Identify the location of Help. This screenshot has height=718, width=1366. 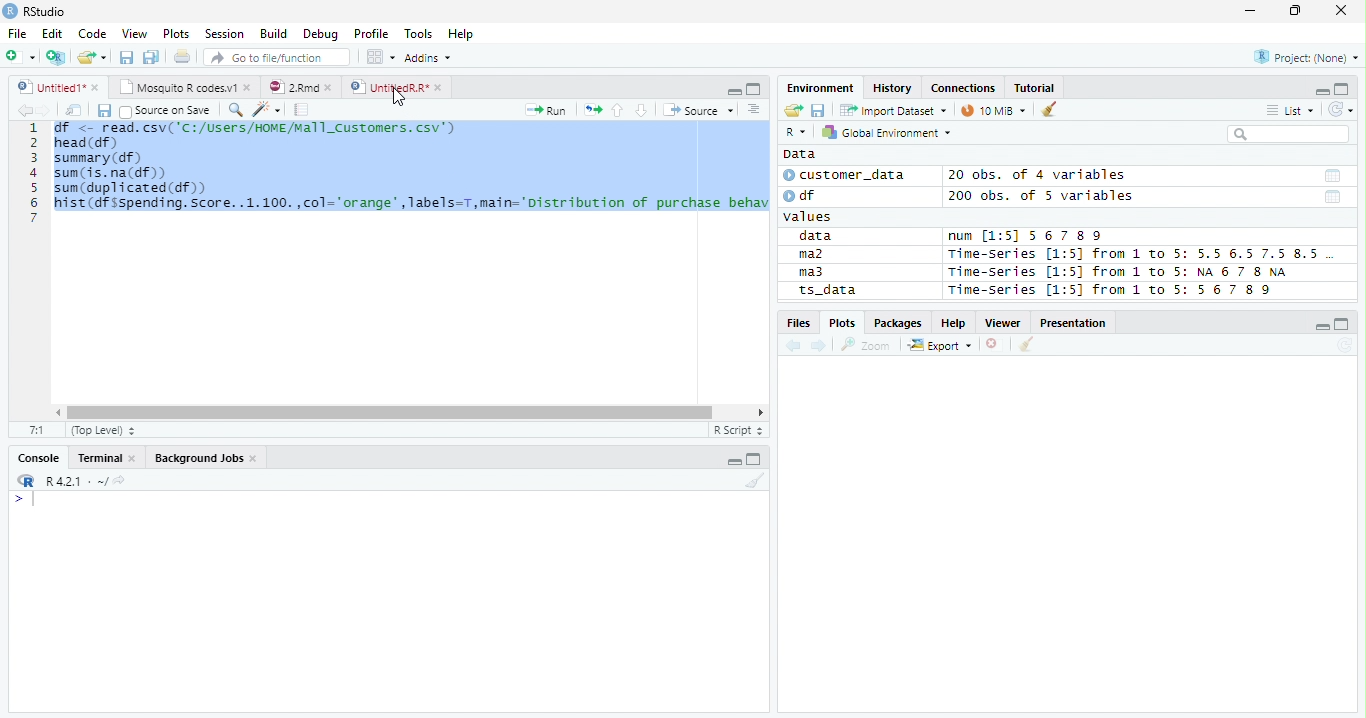
(463, 34).